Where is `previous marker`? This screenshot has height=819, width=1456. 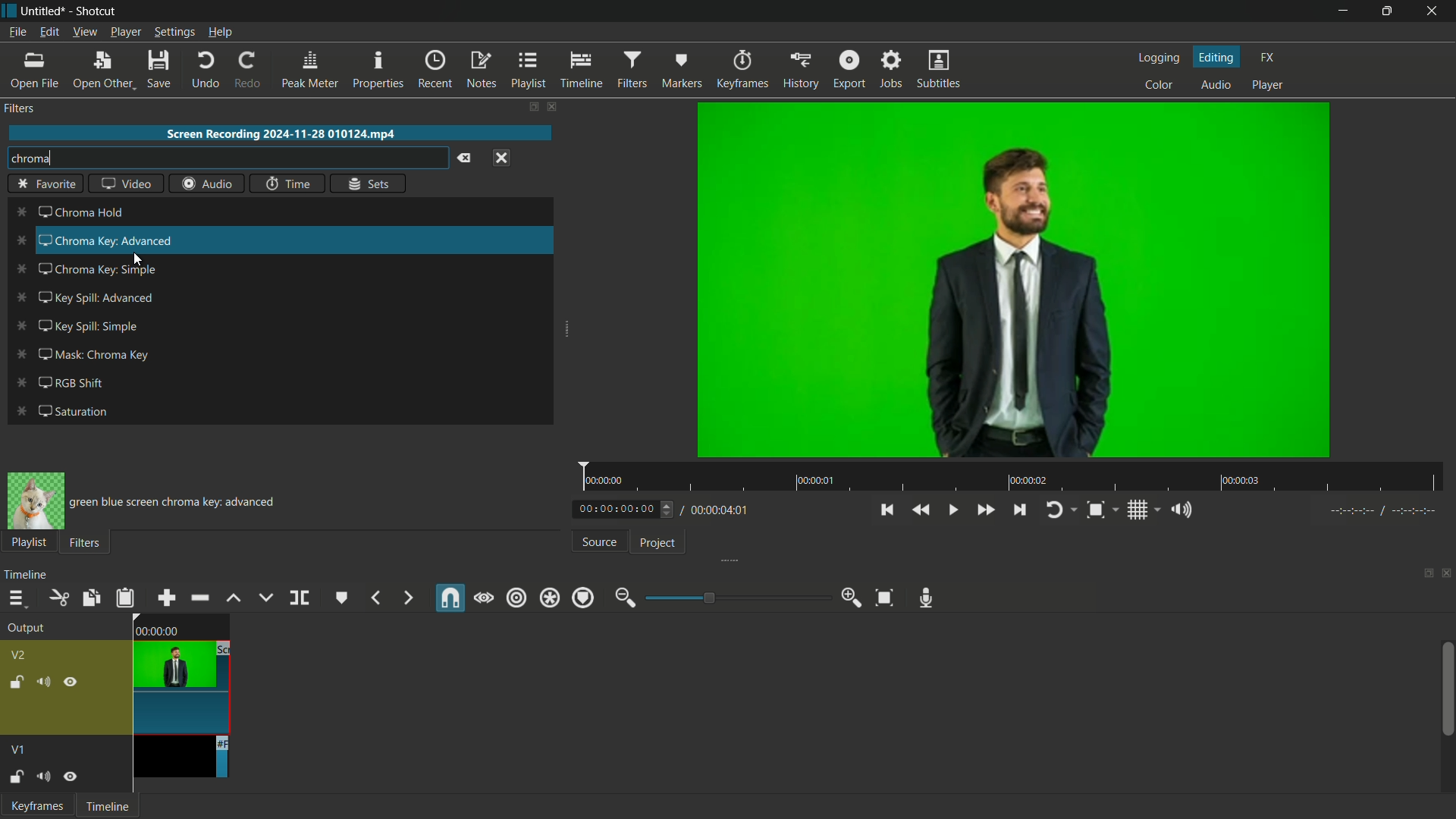 previous marker is located at coordinates (375, 598).